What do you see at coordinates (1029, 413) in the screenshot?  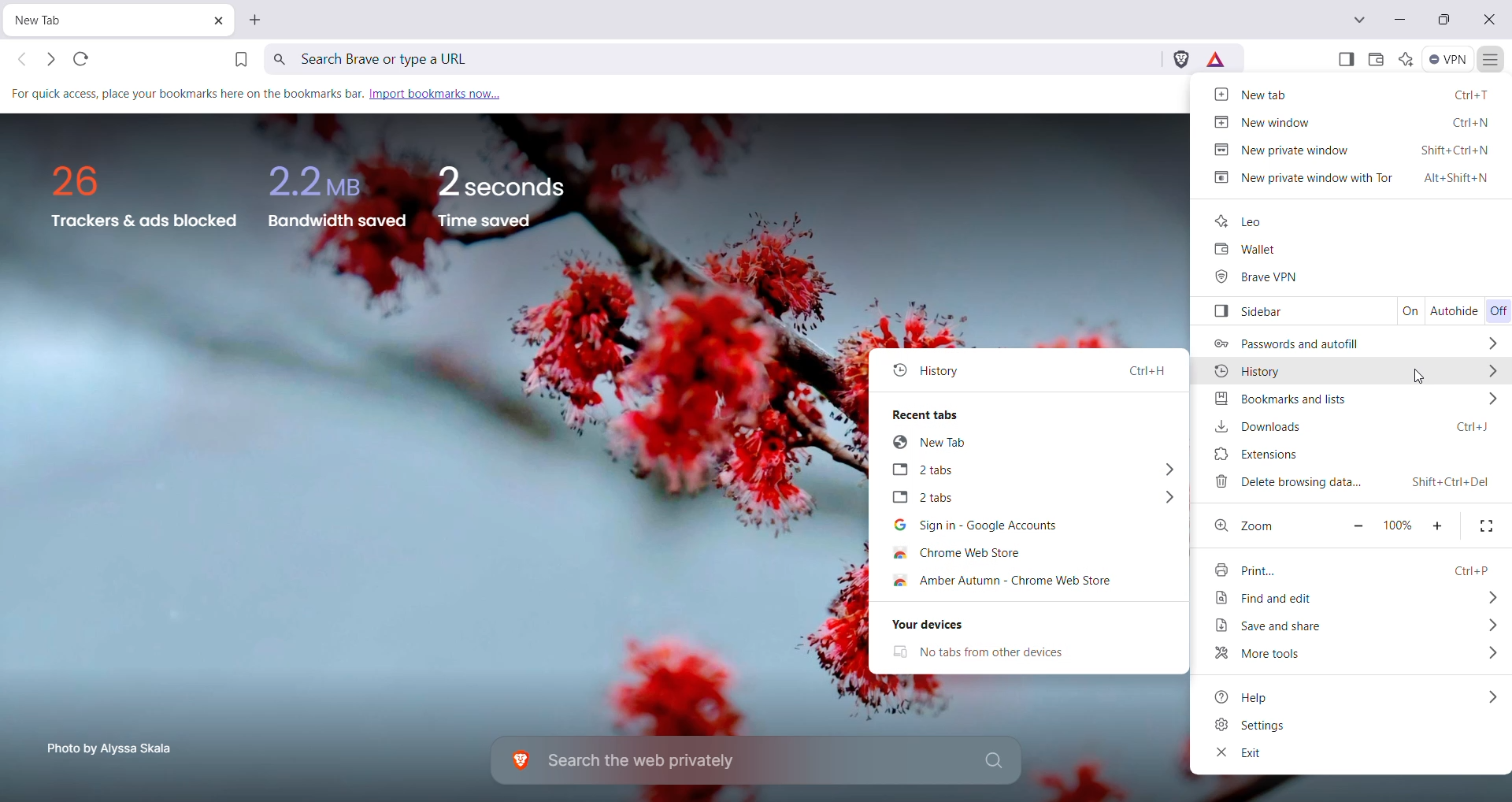 I see `Recent tabs` at bounding box center [1029, 413].